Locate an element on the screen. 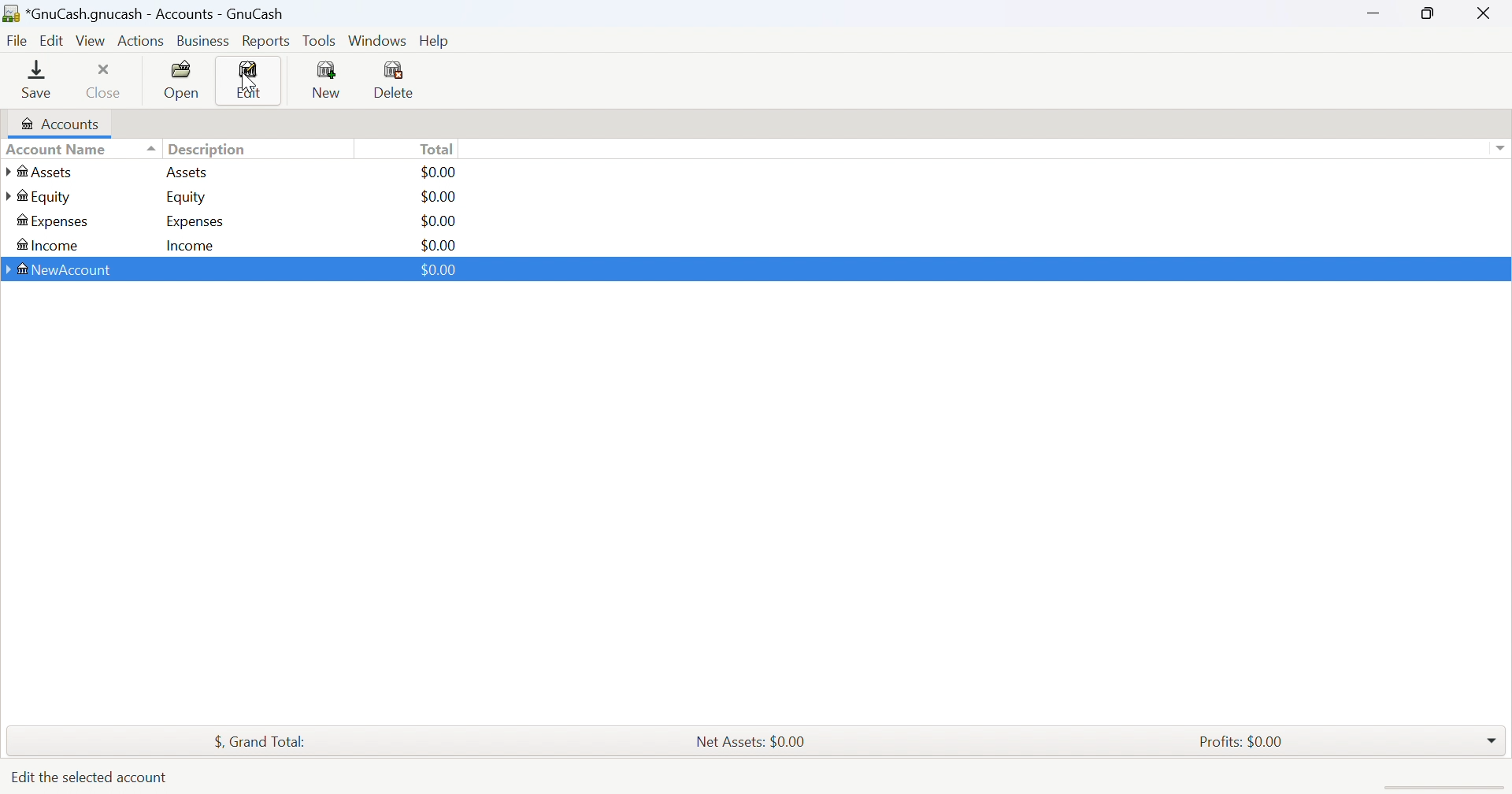 This screenshot has height=794, width=1512. NewAccount is located at coordinates (62, 271).